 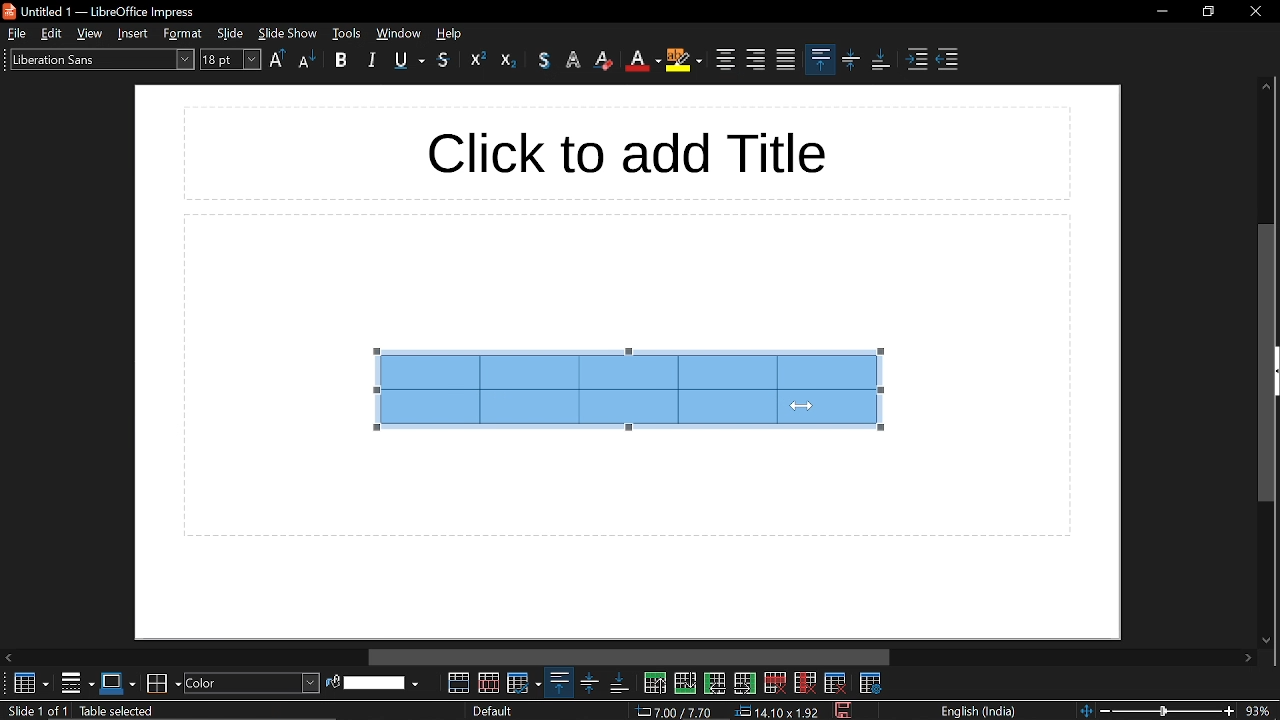 I want to click on align top, so click(x=821, y=59).